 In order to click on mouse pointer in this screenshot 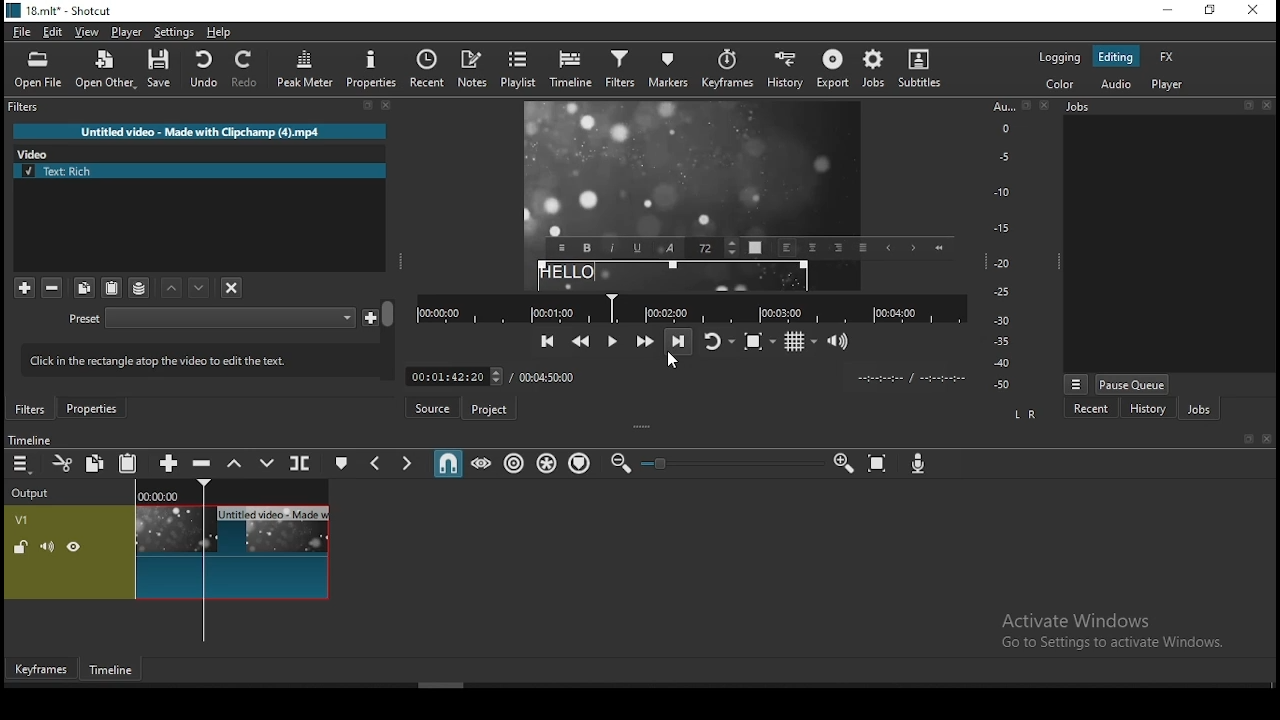, I will do `click(675, 364)`.